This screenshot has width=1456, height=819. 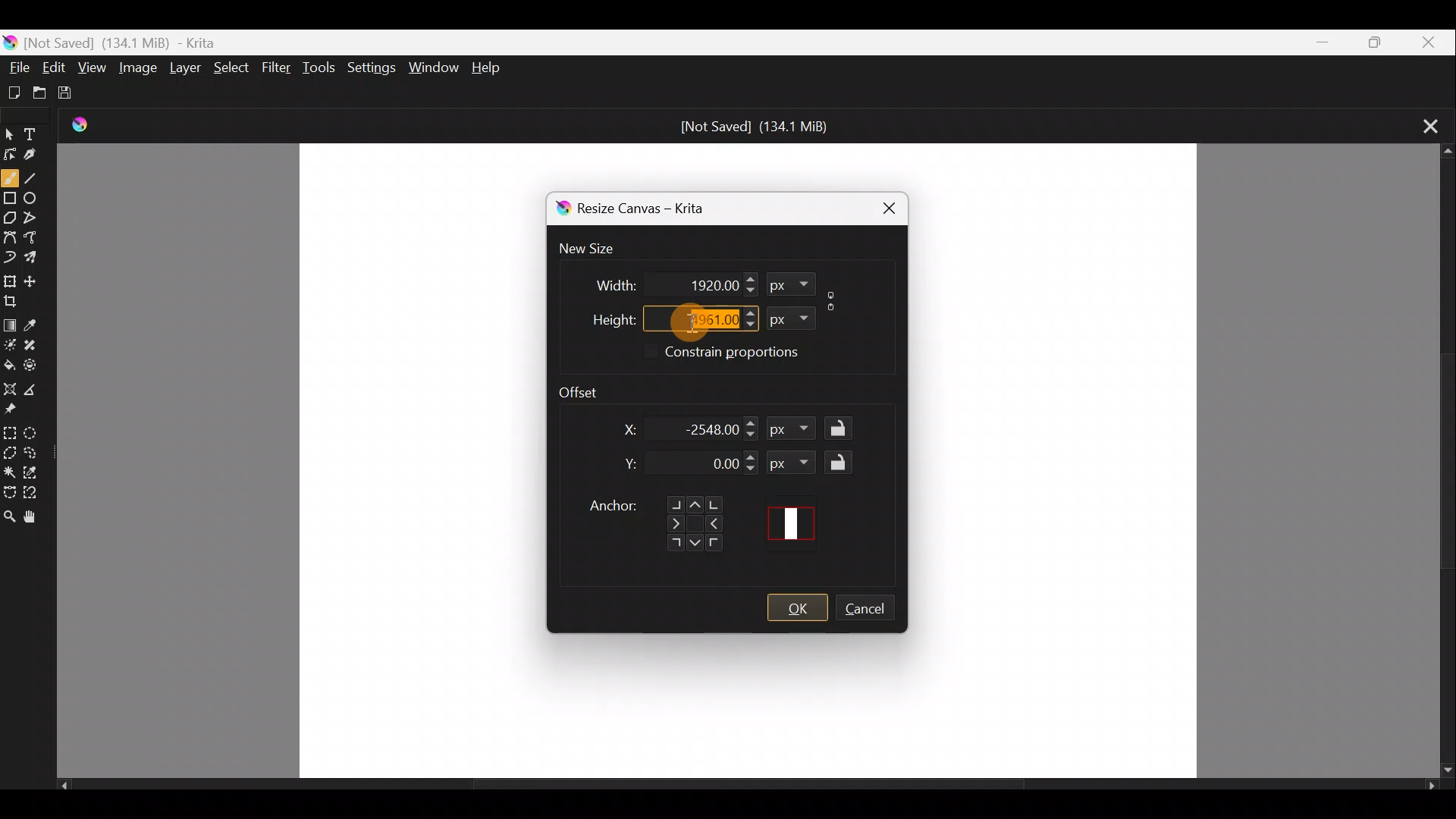 What do you see at coordinates (35, 236) in the screenshot?
I see `Freehand path tool` at bounding box center [35, 236].